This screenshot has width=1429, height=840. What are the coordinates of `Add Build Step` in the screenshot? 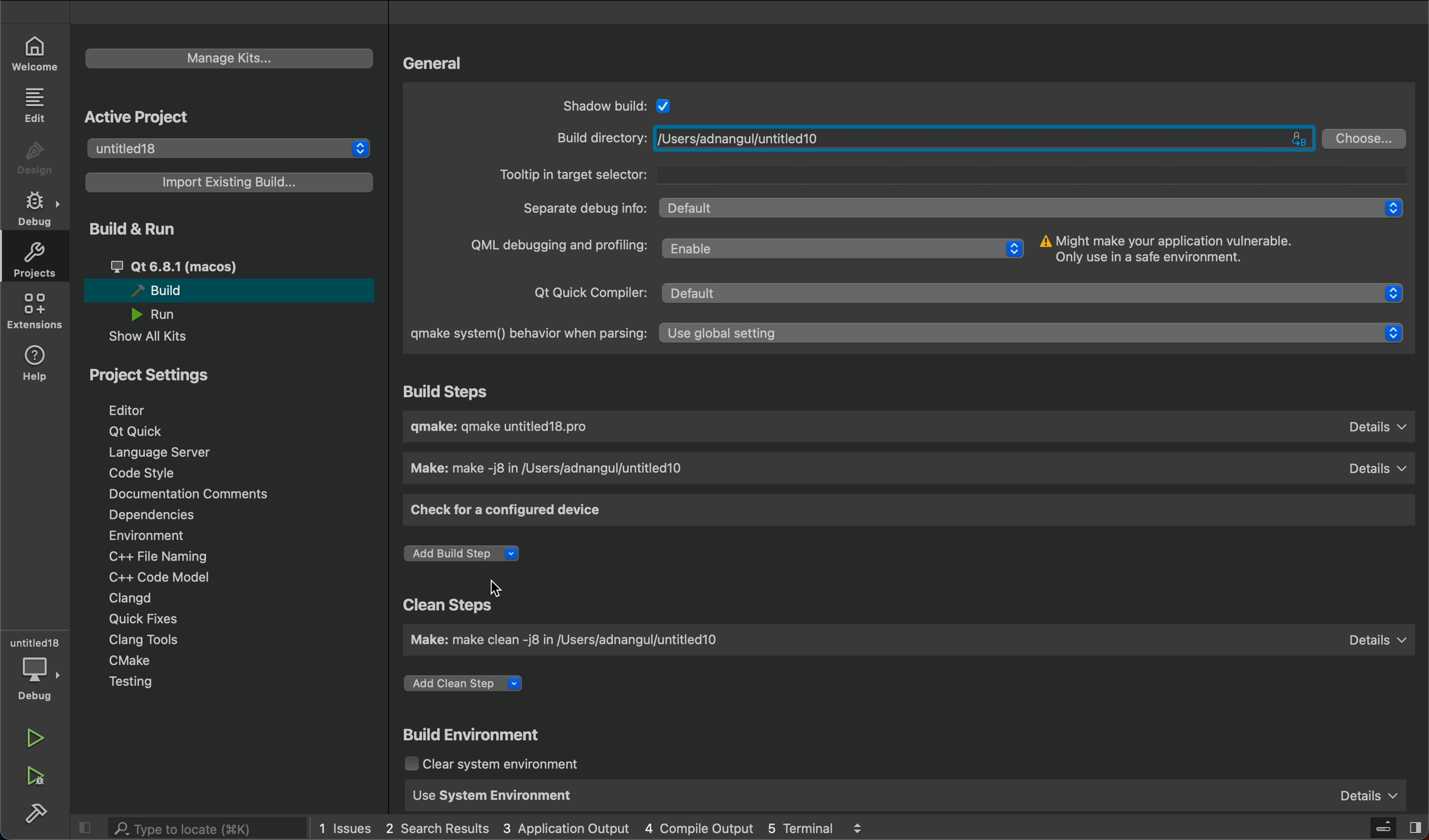 It's located at (466, 554).